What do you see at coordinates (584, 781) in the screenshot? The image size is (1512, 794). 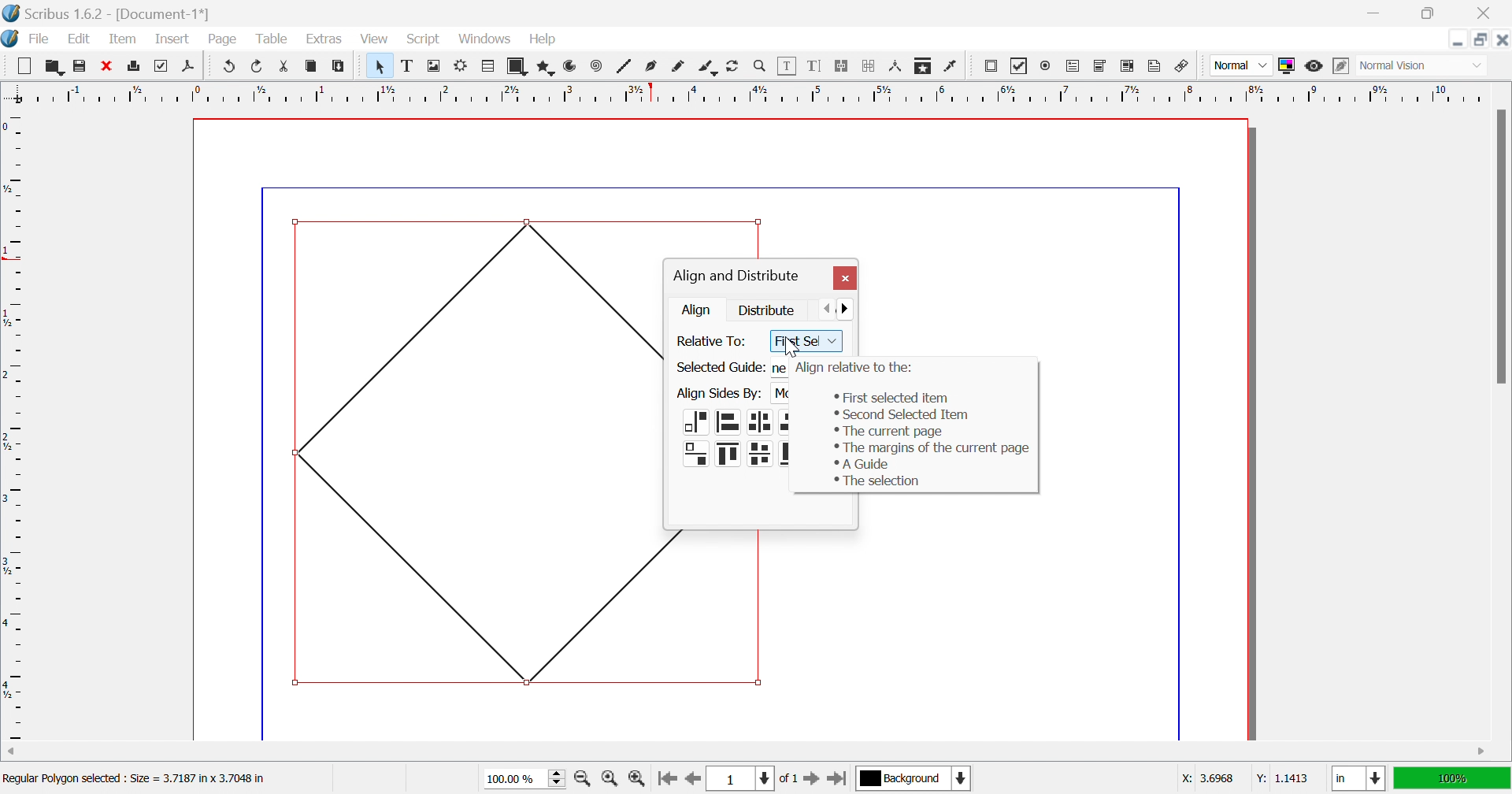 I see `Zoom out by the stepping value in Tools preferences` at bounding box center [584, 781].